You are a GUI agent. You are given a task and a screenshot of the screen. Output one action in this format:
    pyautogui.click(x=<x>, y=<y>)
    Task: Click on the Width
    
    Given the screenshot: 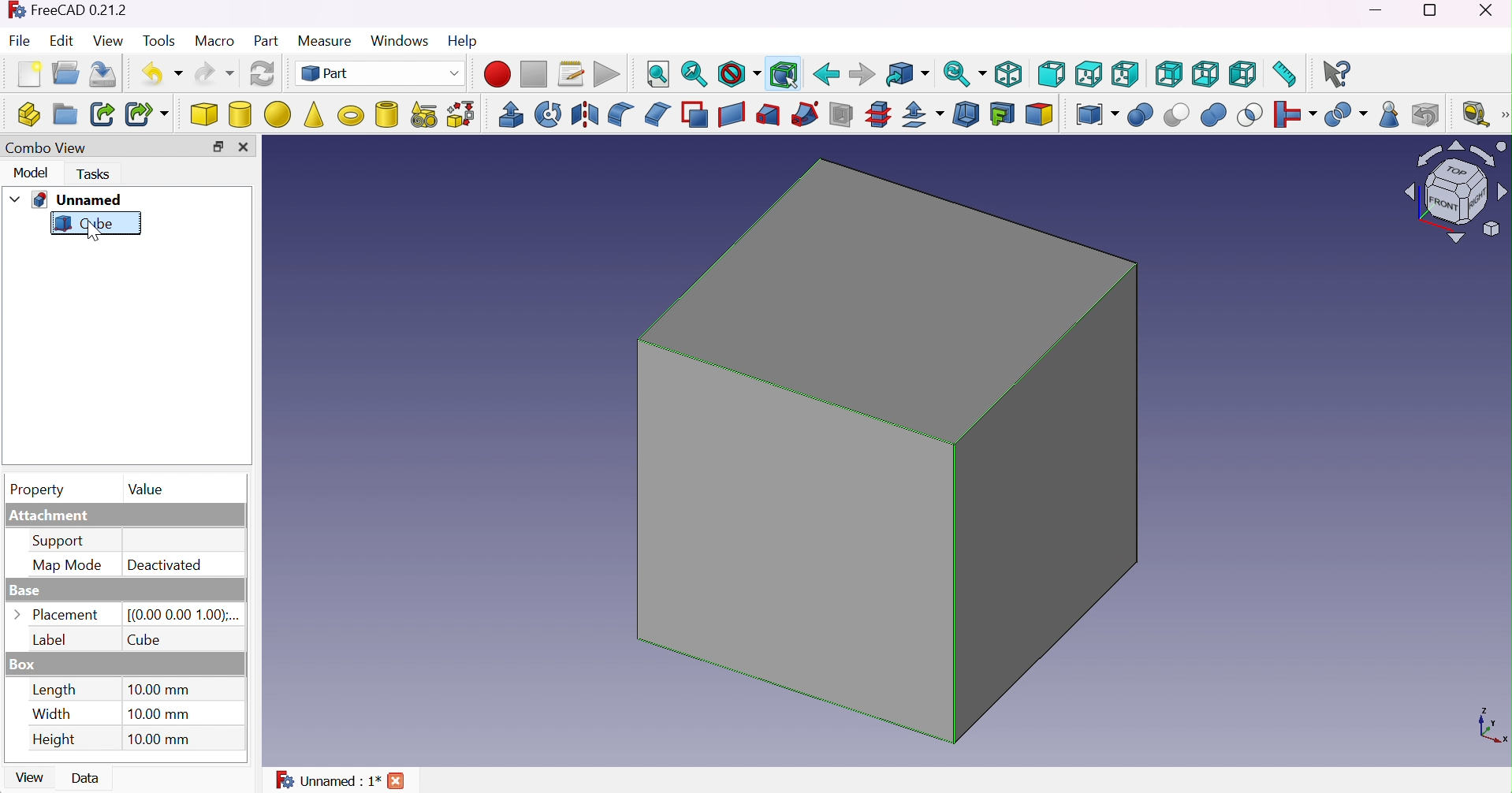 What is the action you would take?
    pyautogui.click(x=54, y=714)
    